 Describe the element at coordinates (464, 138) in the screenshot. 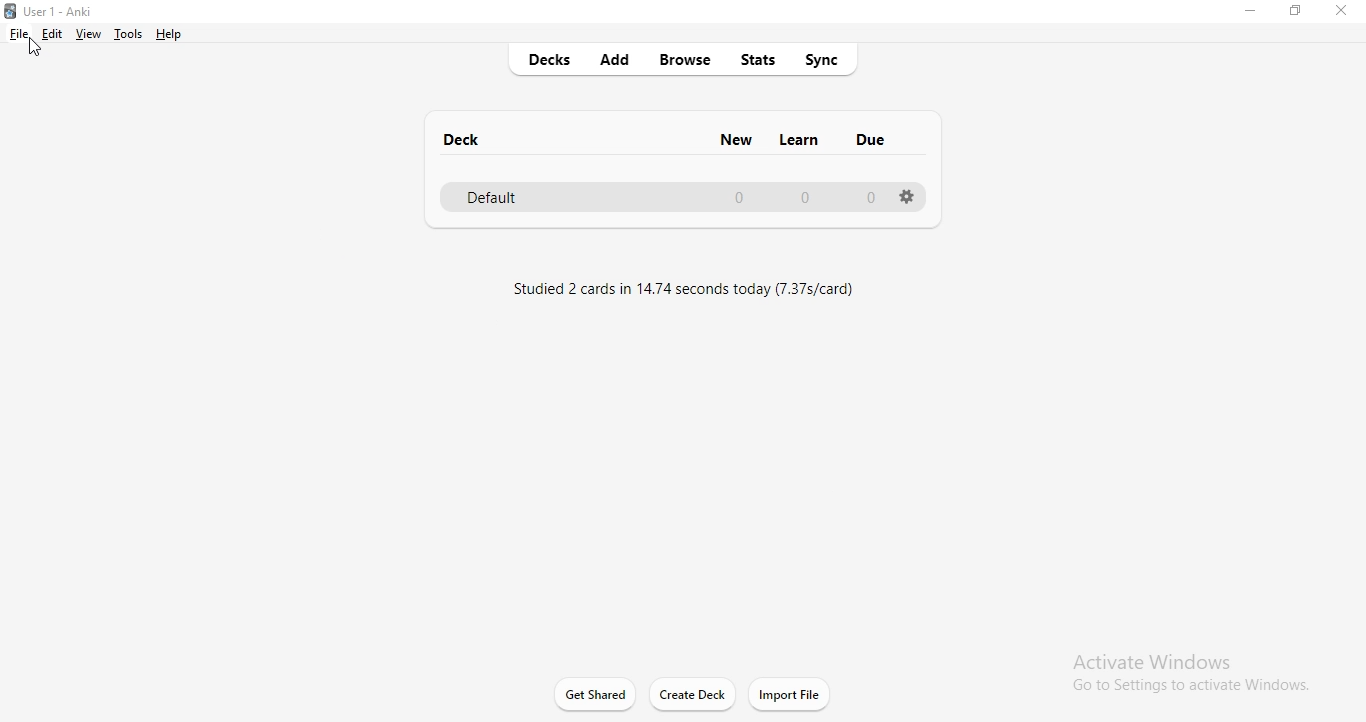

I see `deck` at that location.